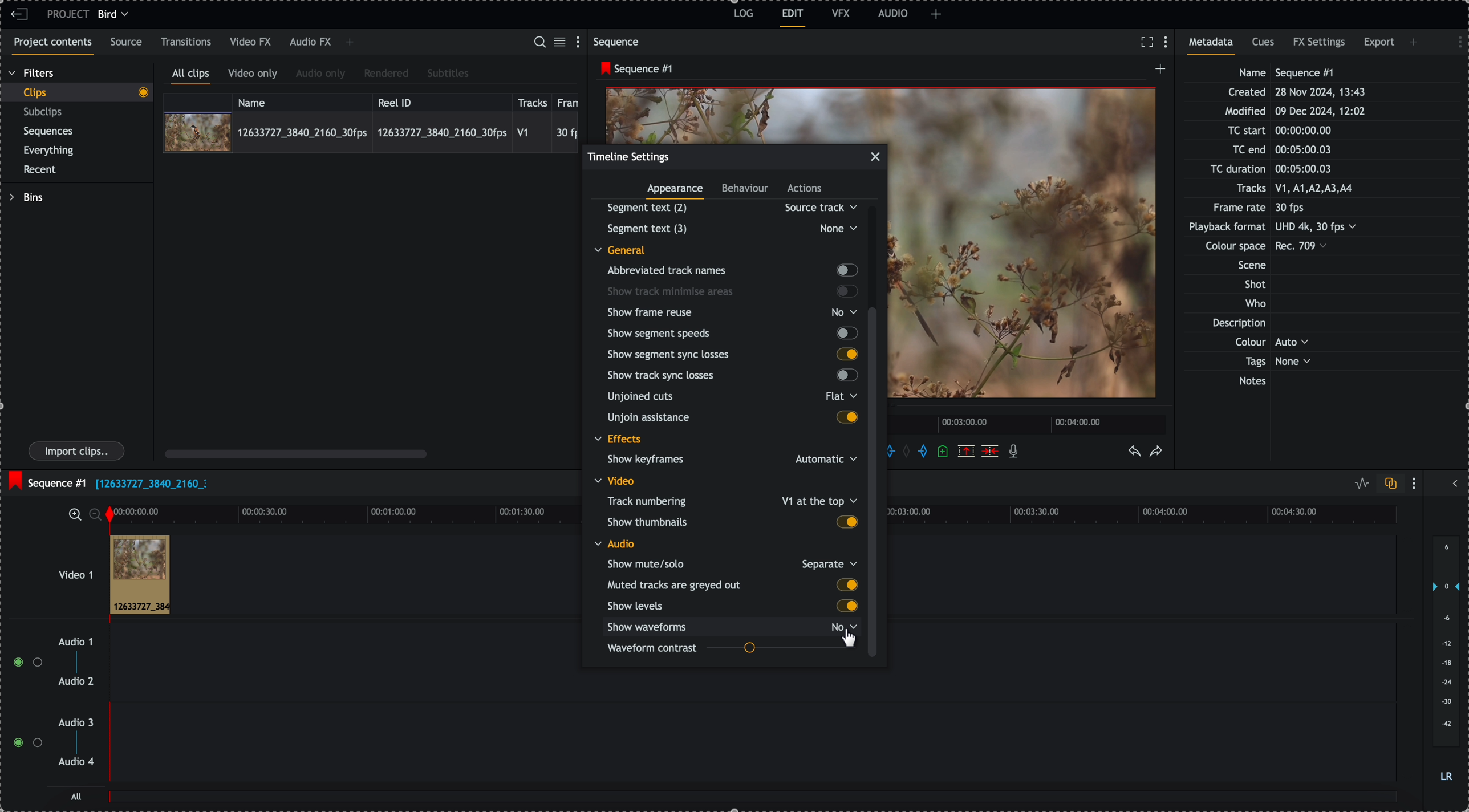  What do you see at coordinates (1379, 44) in the screenshot?
I see `export` at bounding box center [1379, 44].